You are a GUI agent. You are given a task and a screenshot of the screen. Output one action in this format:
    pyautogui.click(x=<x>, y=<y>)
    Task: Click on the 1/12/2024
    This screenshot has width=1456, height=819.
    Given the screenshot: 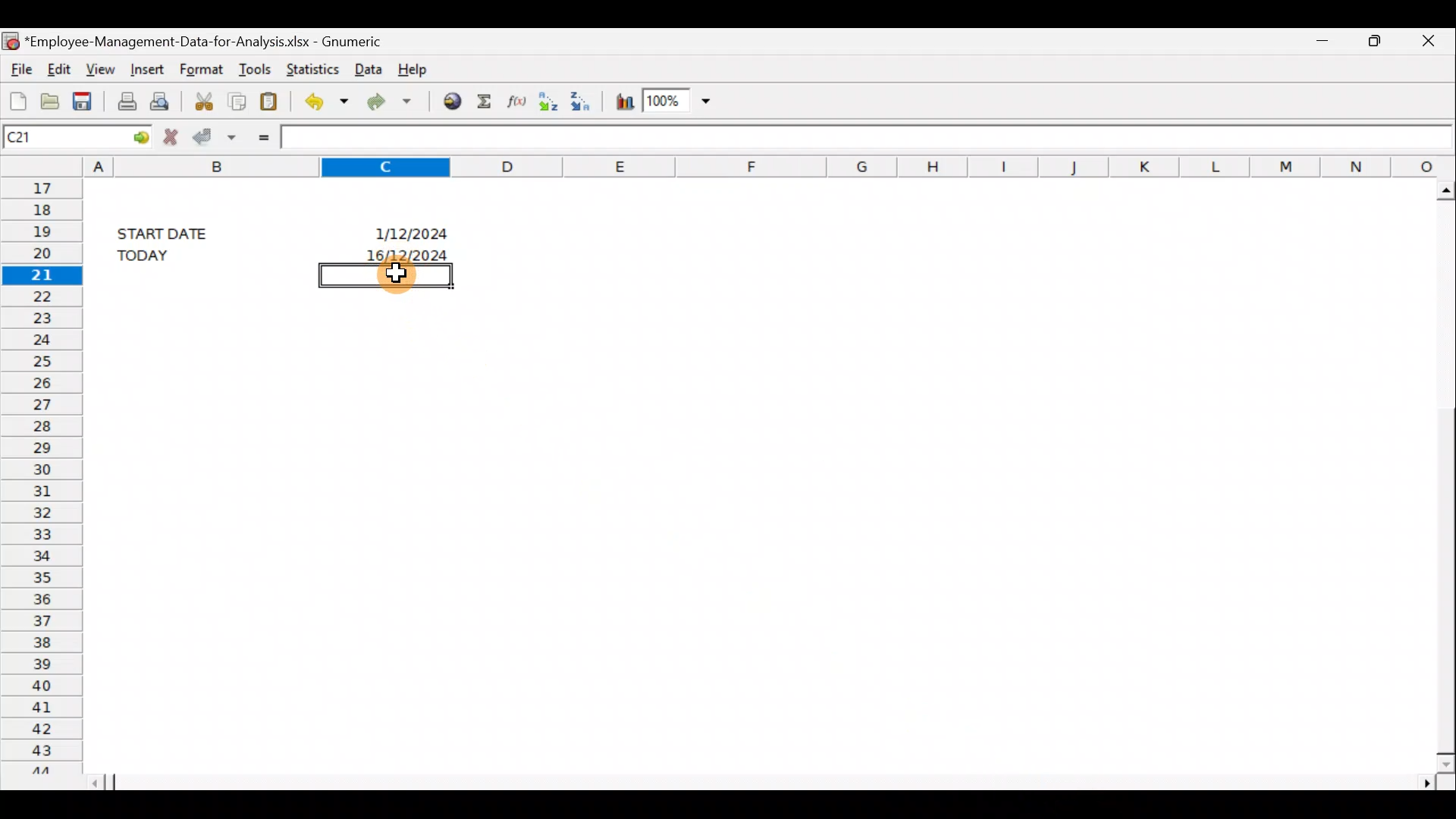 What is the action you would take?
    pyautogui.click(x=414, y=231)
    